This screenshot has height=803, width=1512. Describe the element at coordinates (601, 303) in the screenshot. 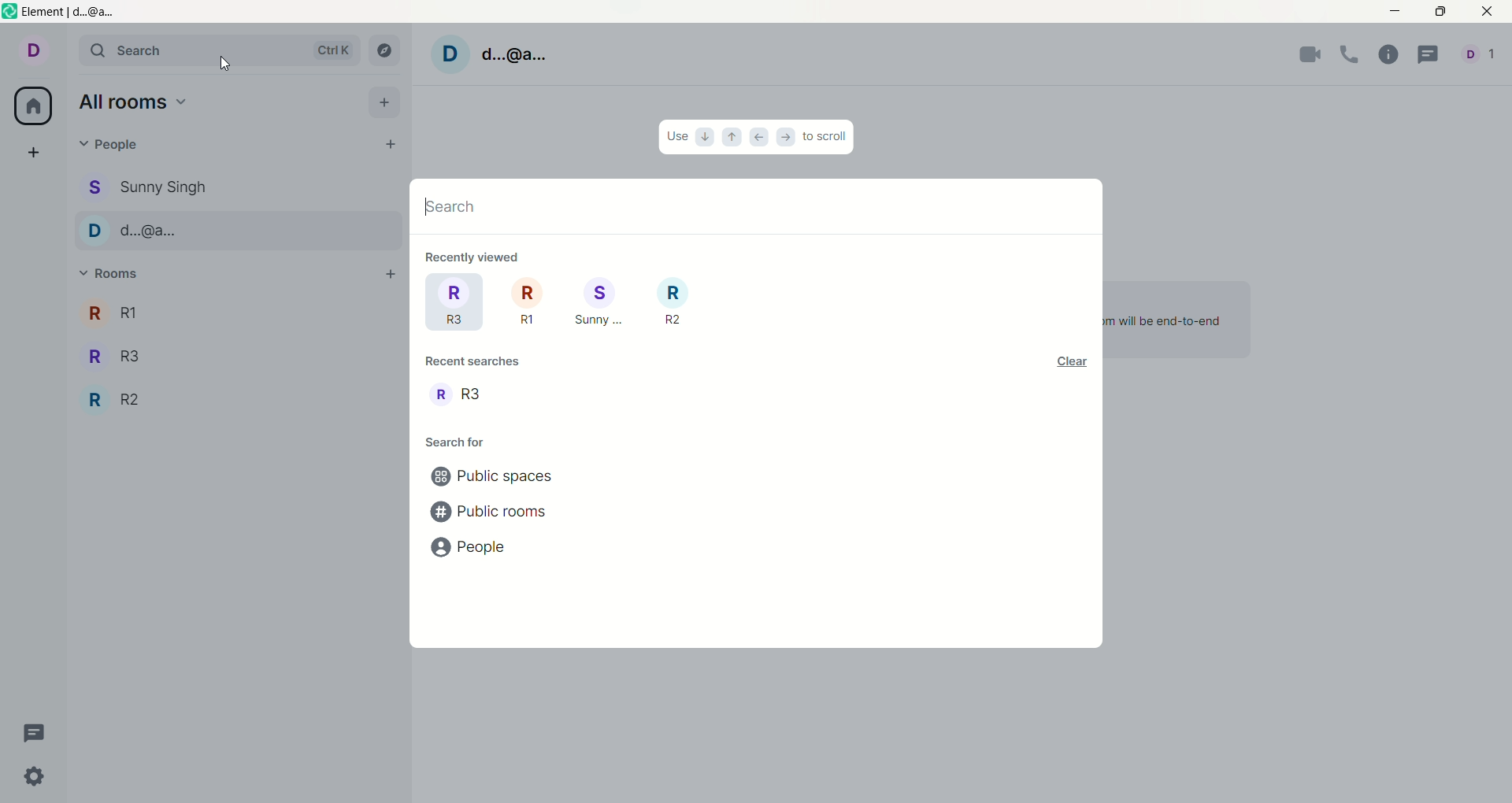

I see `Sunny` at that location.